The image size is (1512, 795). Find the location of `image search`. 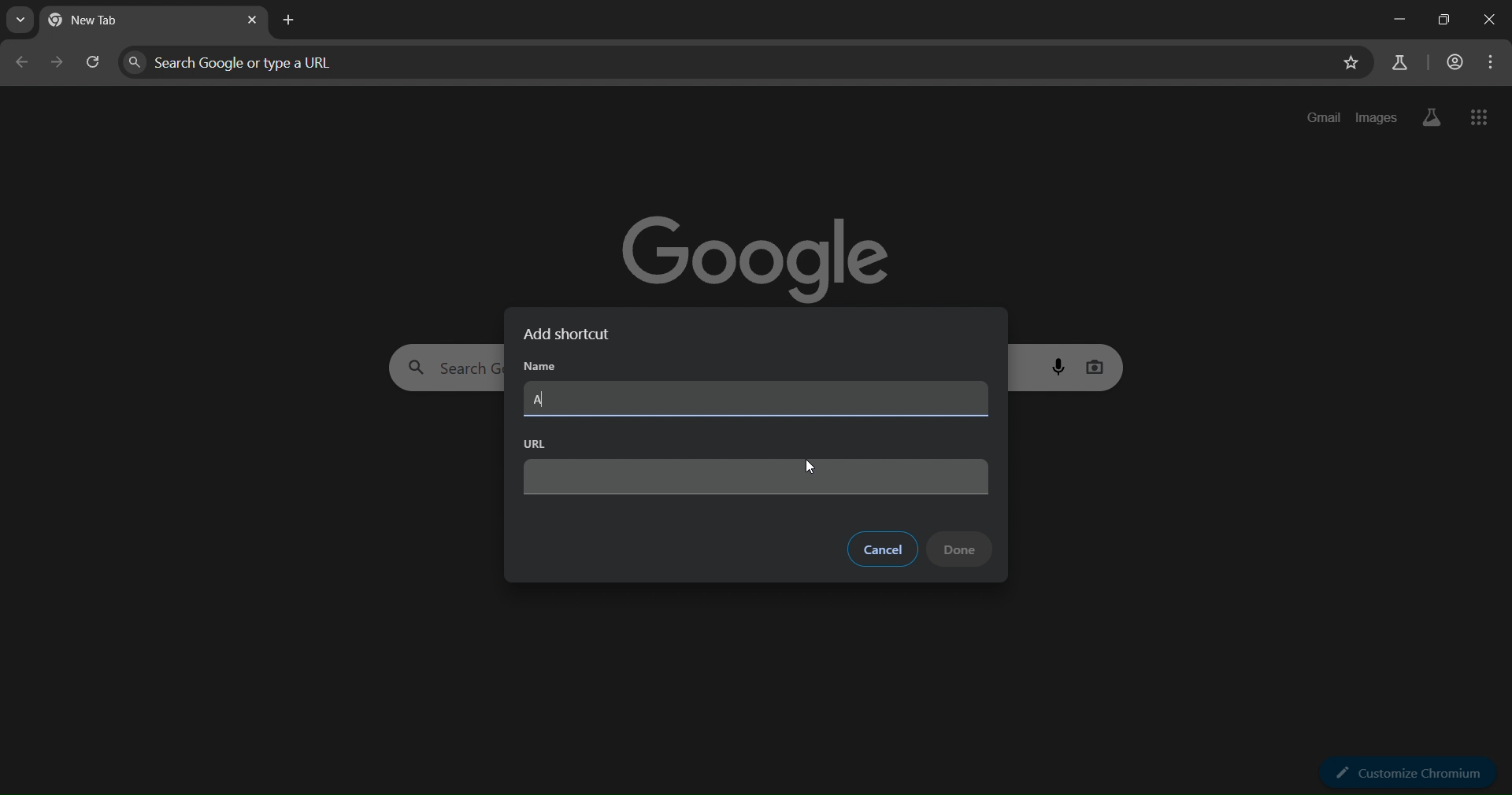

image search is located at coordinates (1097, 364).